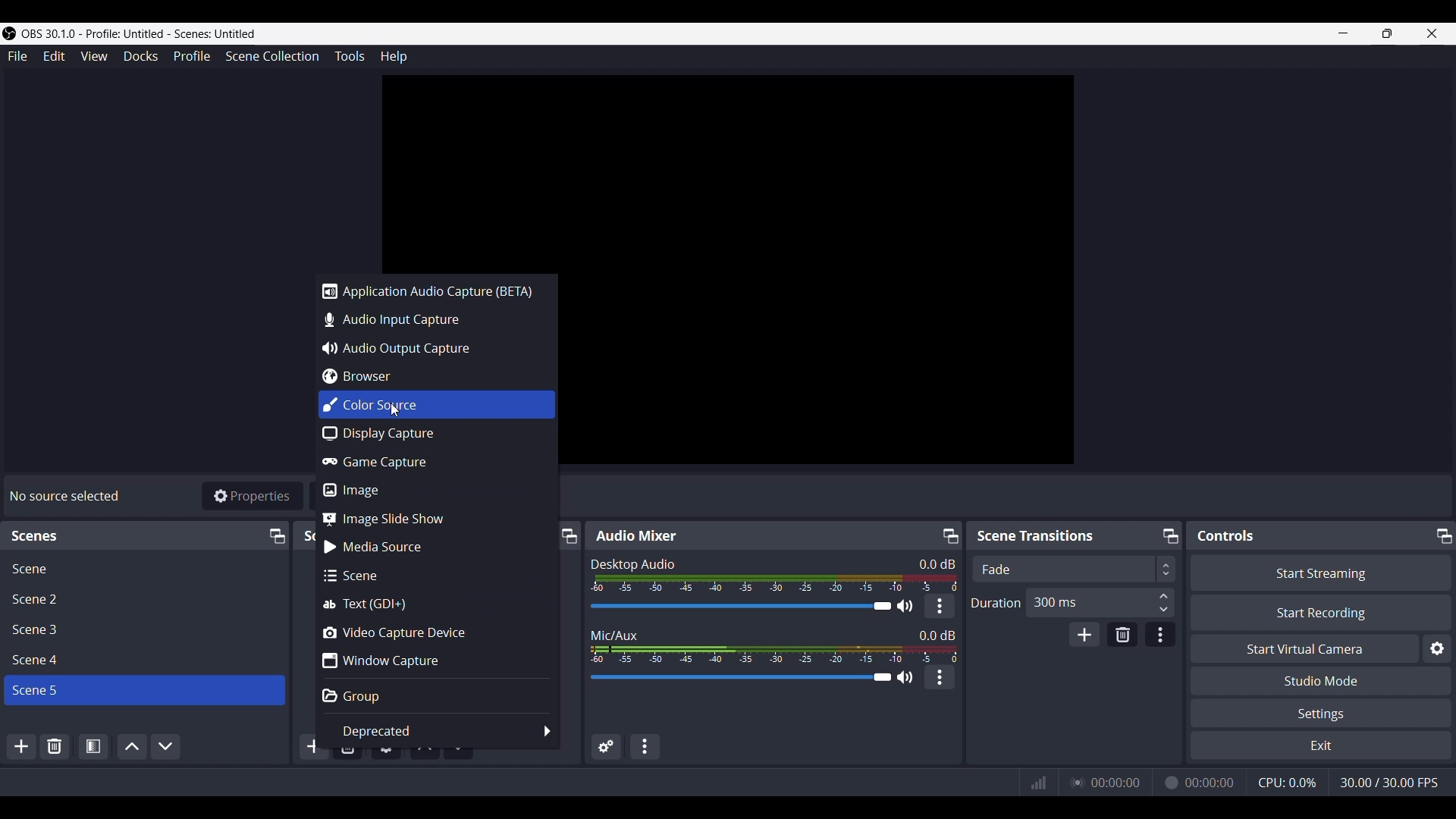 The height and width of the screenshot is (819, 1456). I want to click on Text, so click(67, 496).